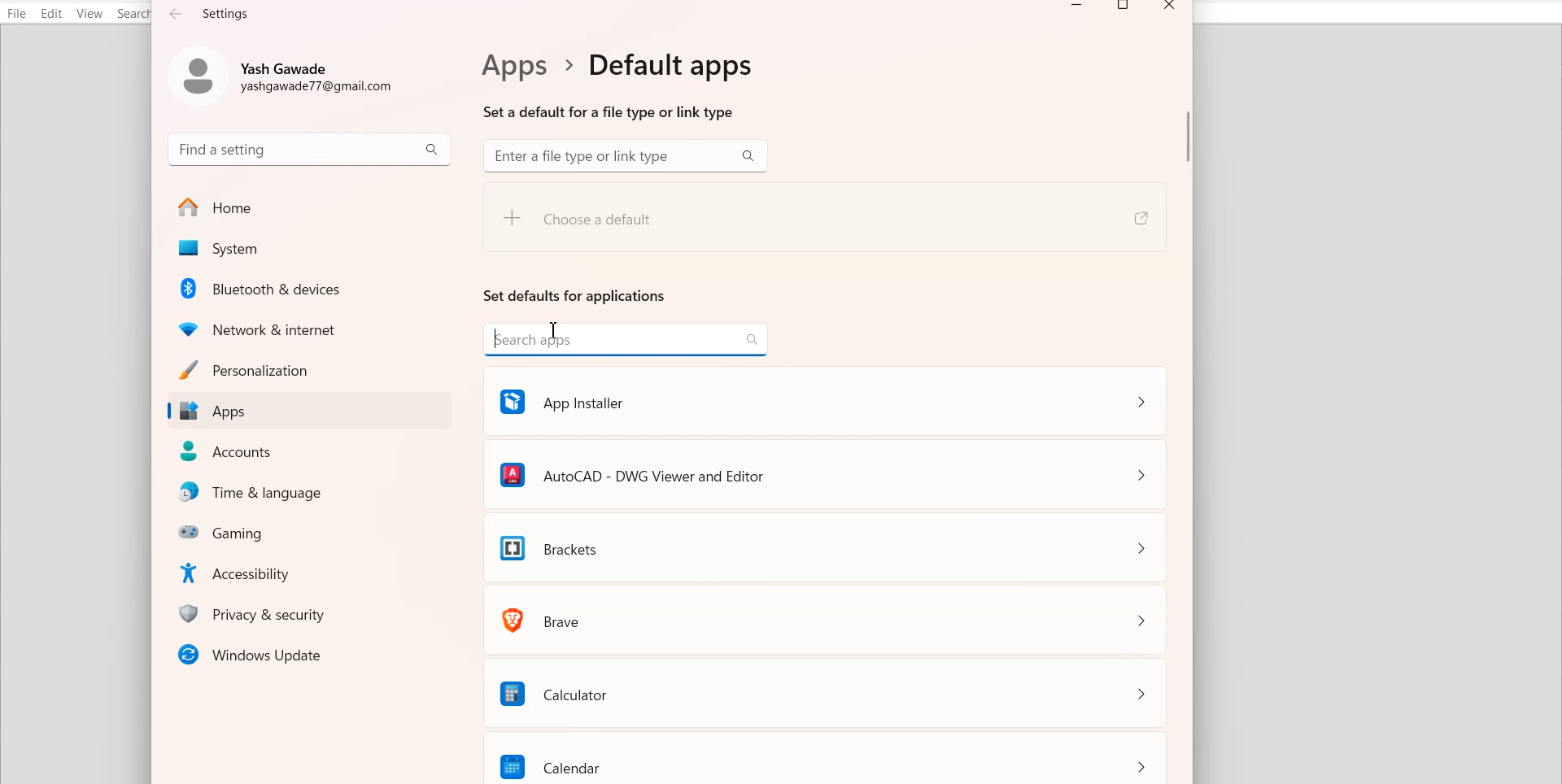 The height and width of the screenshot is (784, 1562). Describe the element at coordinates (287, 73) in the screenshot. I see `Account` at that location.